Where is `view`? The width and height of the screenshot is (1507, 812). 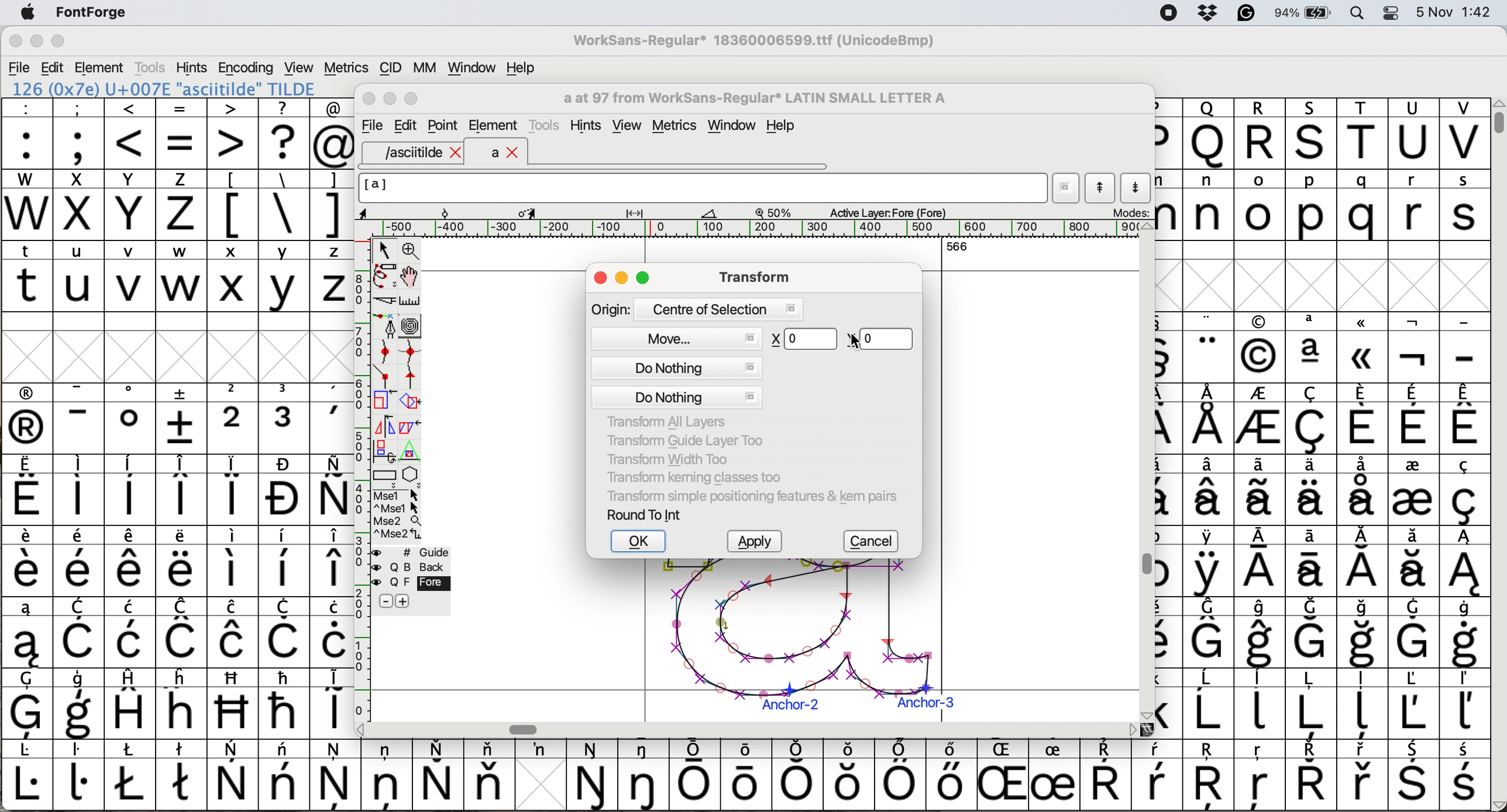 view is located at coordinates (626, 126).